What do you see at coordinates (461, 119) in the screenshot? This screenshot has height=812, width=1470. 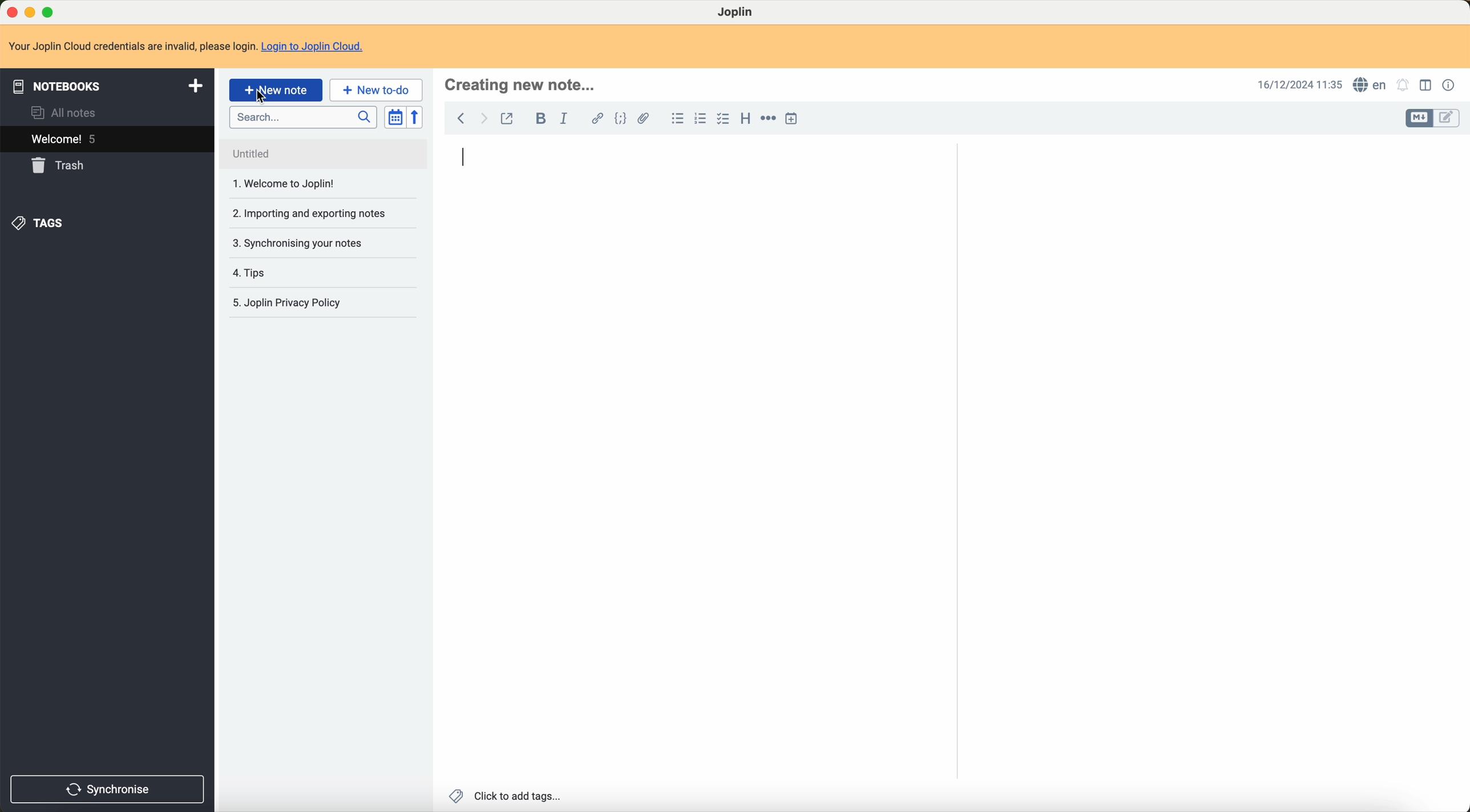 I see `back` at bounding box center [461, 119].